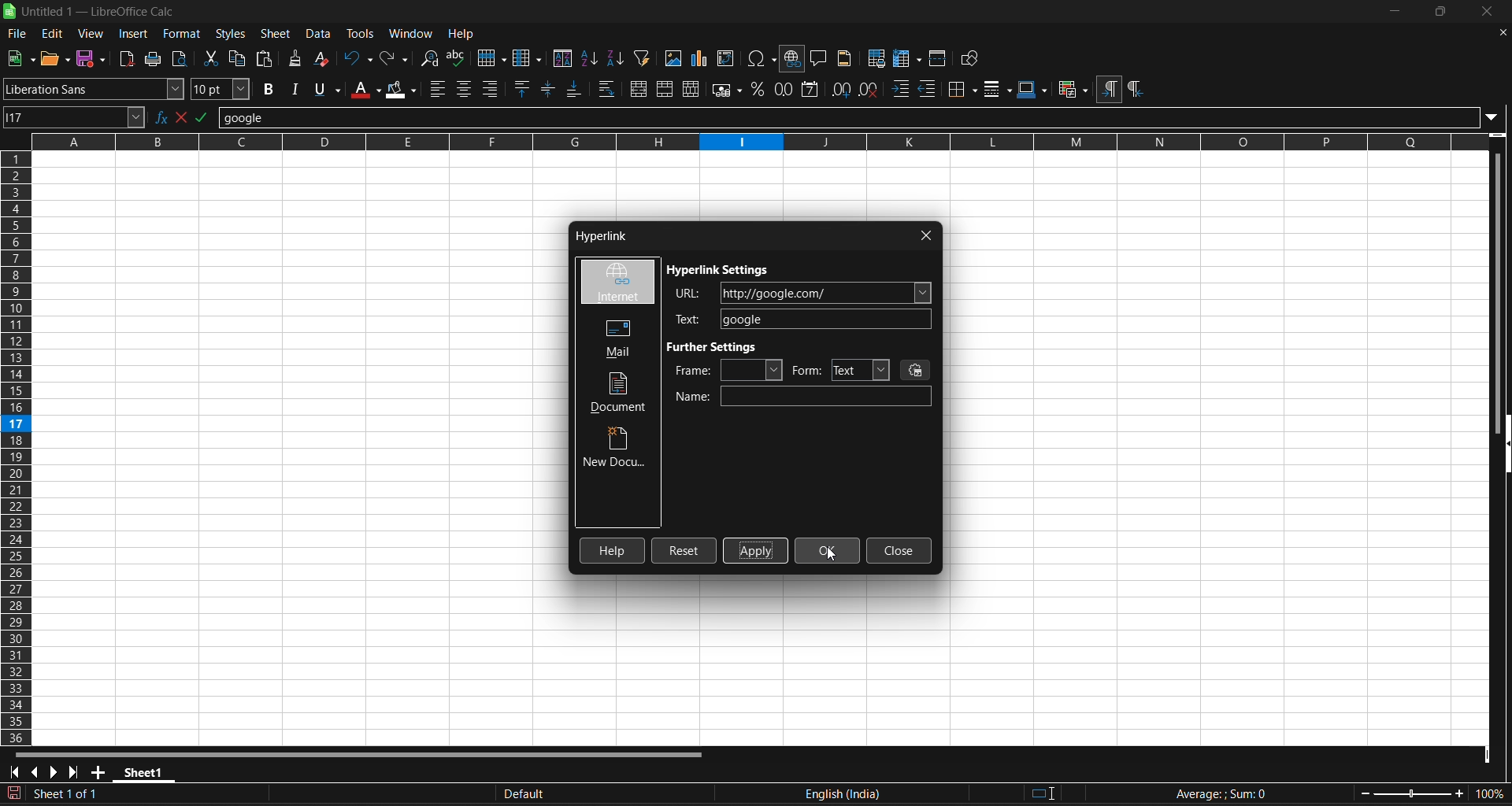 Image resolution: width=1512 pixels, height=806 pixels. Describe the element at coordinates (439, 89) in the screenshot. I see `align left` at that location.